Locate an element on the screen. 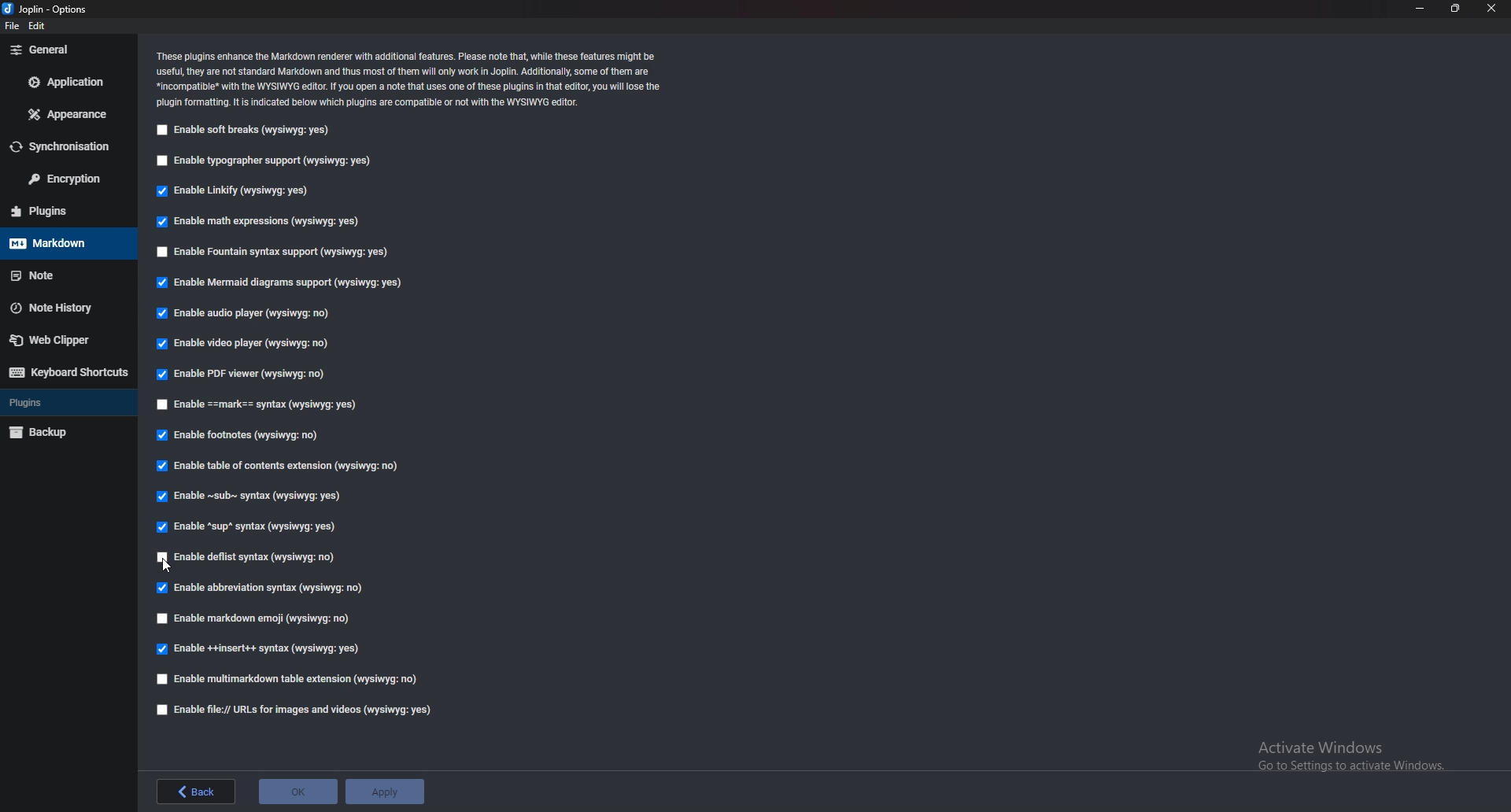  Enable sub syntax is located at coordinates (251, 496).